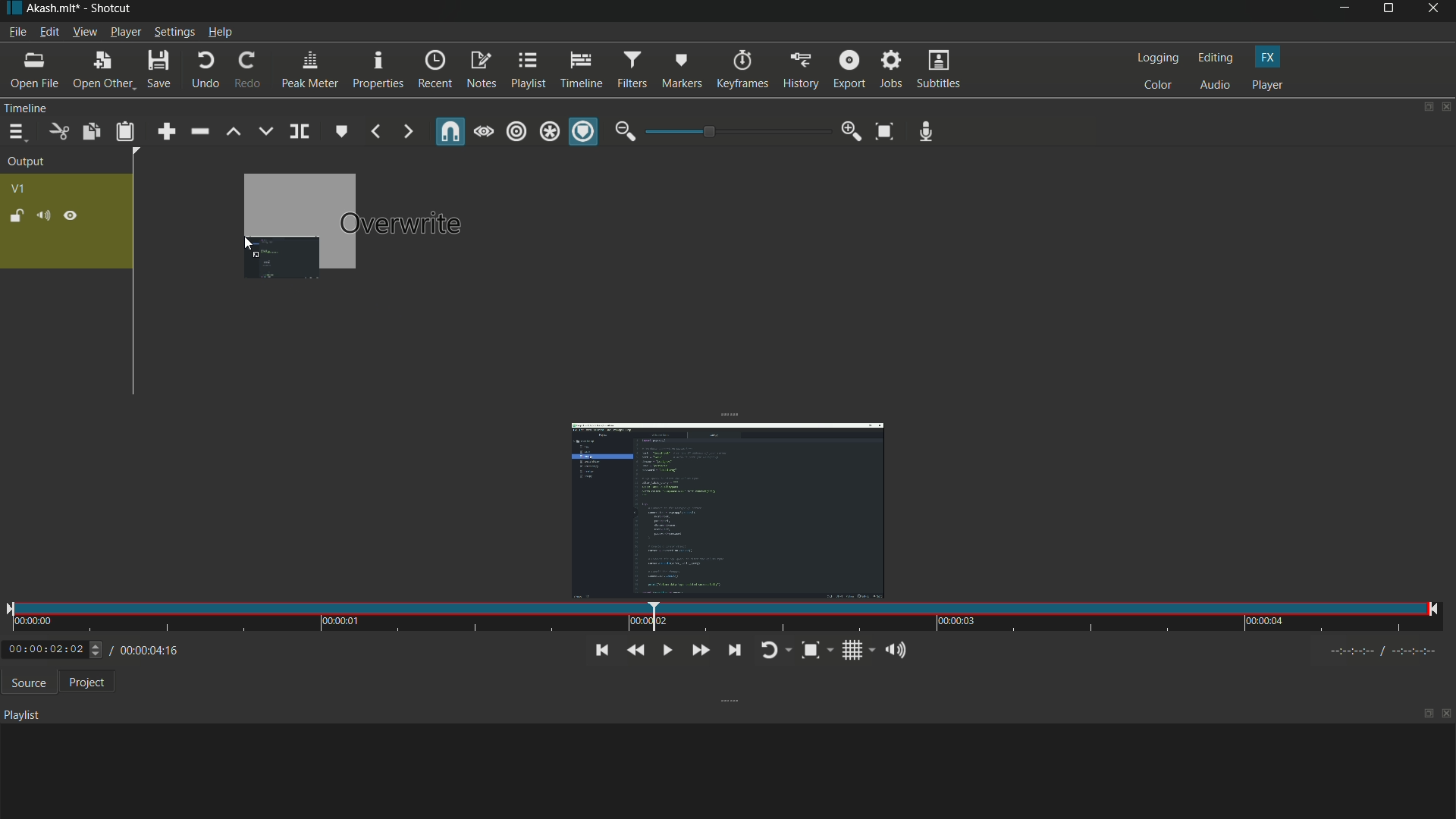 The width and height of the screenshot is (1456, 819). I want to click on total time, so click(168, 692).